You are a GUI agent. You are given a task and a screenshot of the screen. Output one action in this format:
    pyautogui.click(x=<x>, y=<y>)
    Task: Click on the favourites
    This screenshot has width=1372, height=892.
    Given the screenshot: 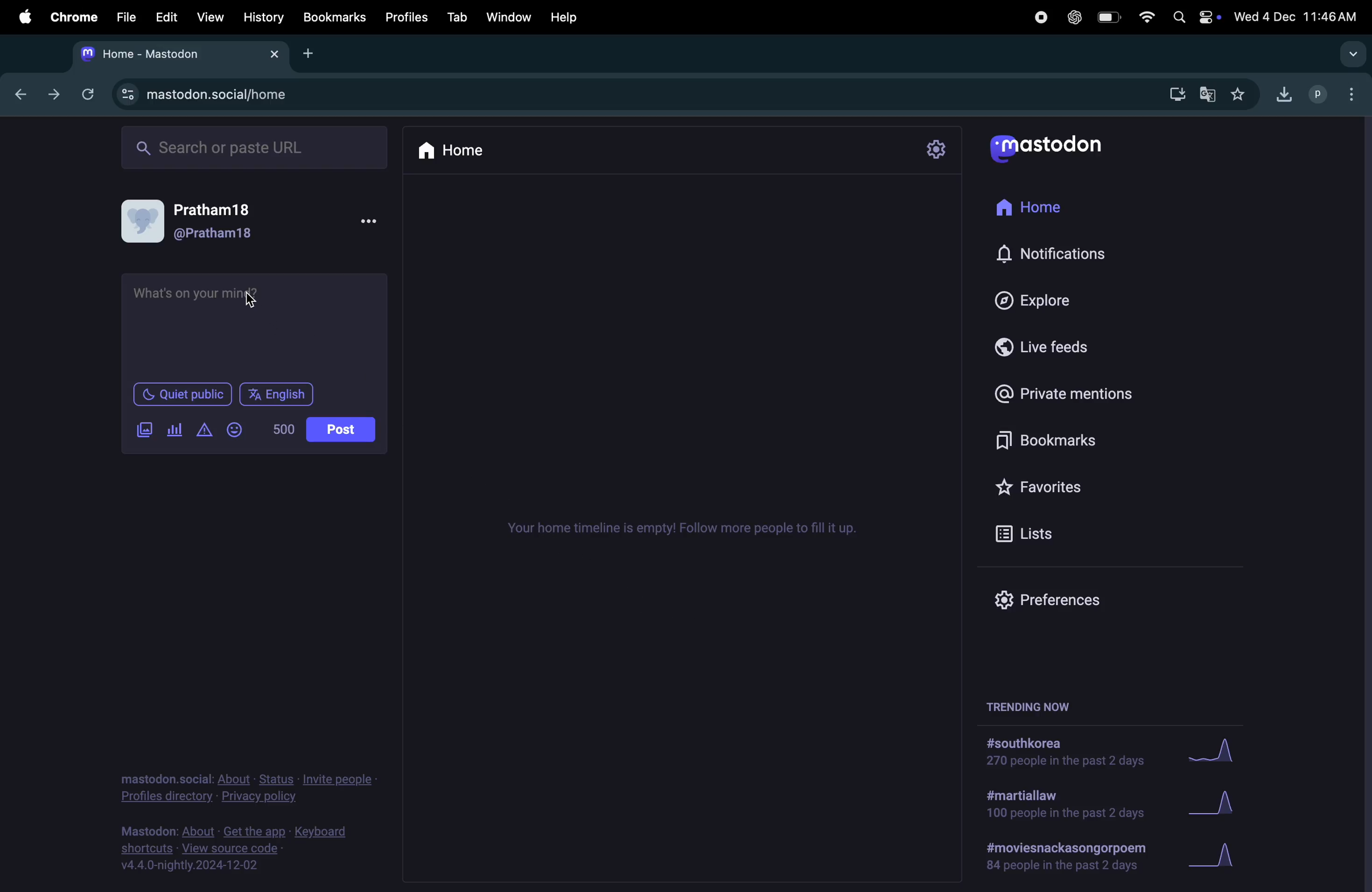 What is the action you would take?
    pyautogui.click(x=1247, y=93)
    